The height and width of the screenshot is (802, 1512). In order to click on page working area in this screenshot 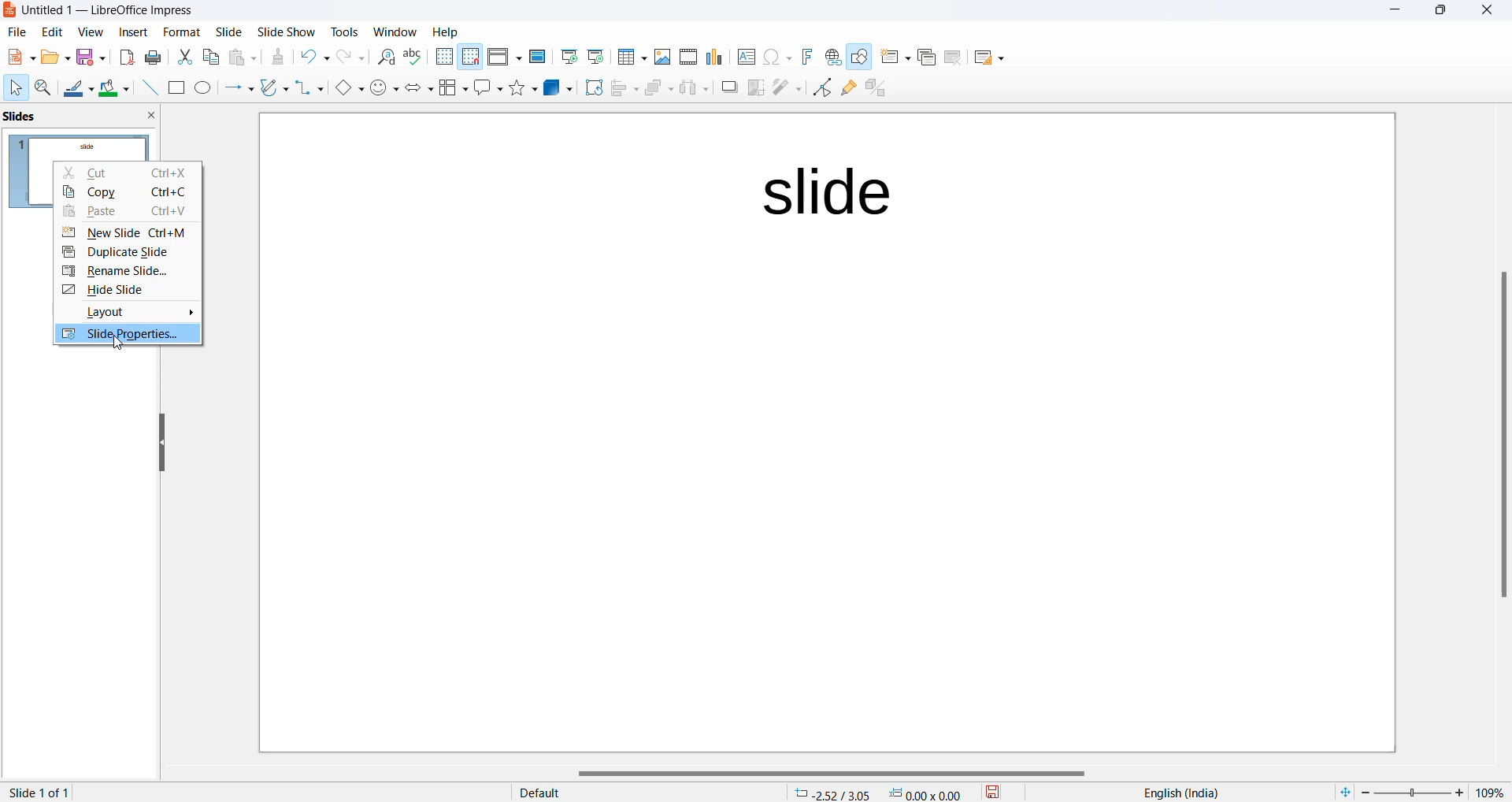, I will do `click(829, 431)`.